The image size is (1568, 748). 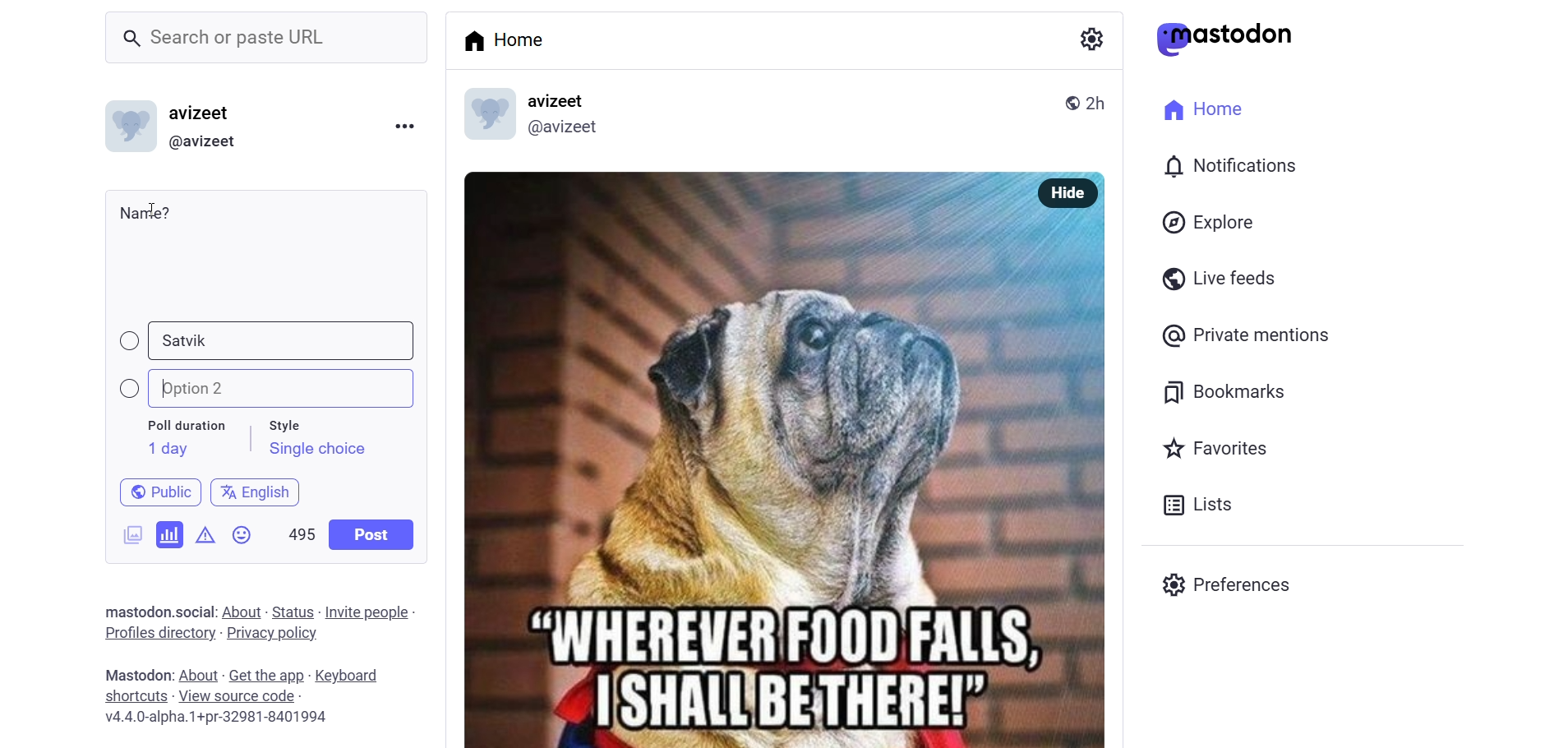 I want to click on post image, so click(x=733, y=451).